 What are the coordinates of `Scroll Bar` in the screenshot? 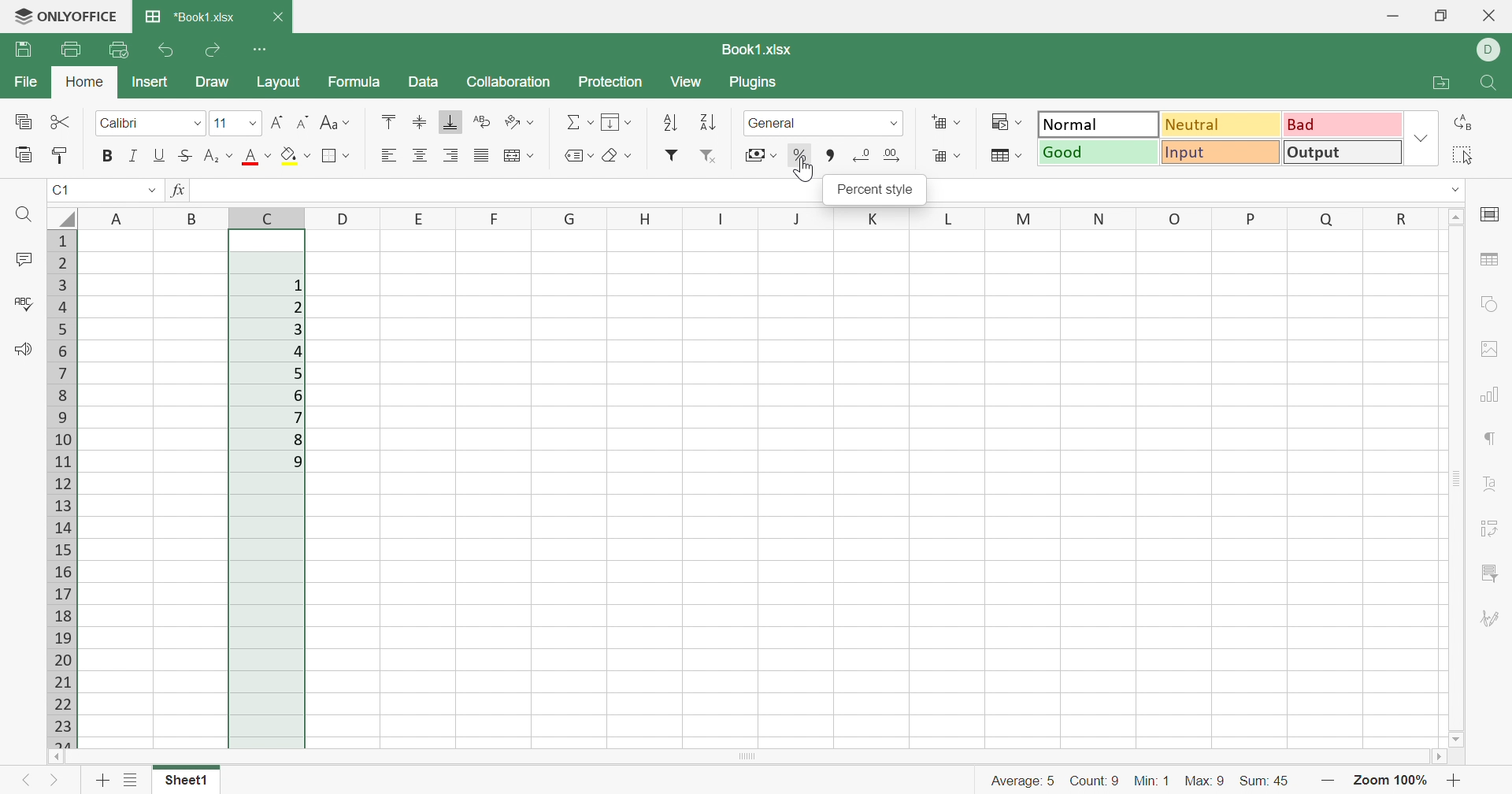 It's located at (752, 757).